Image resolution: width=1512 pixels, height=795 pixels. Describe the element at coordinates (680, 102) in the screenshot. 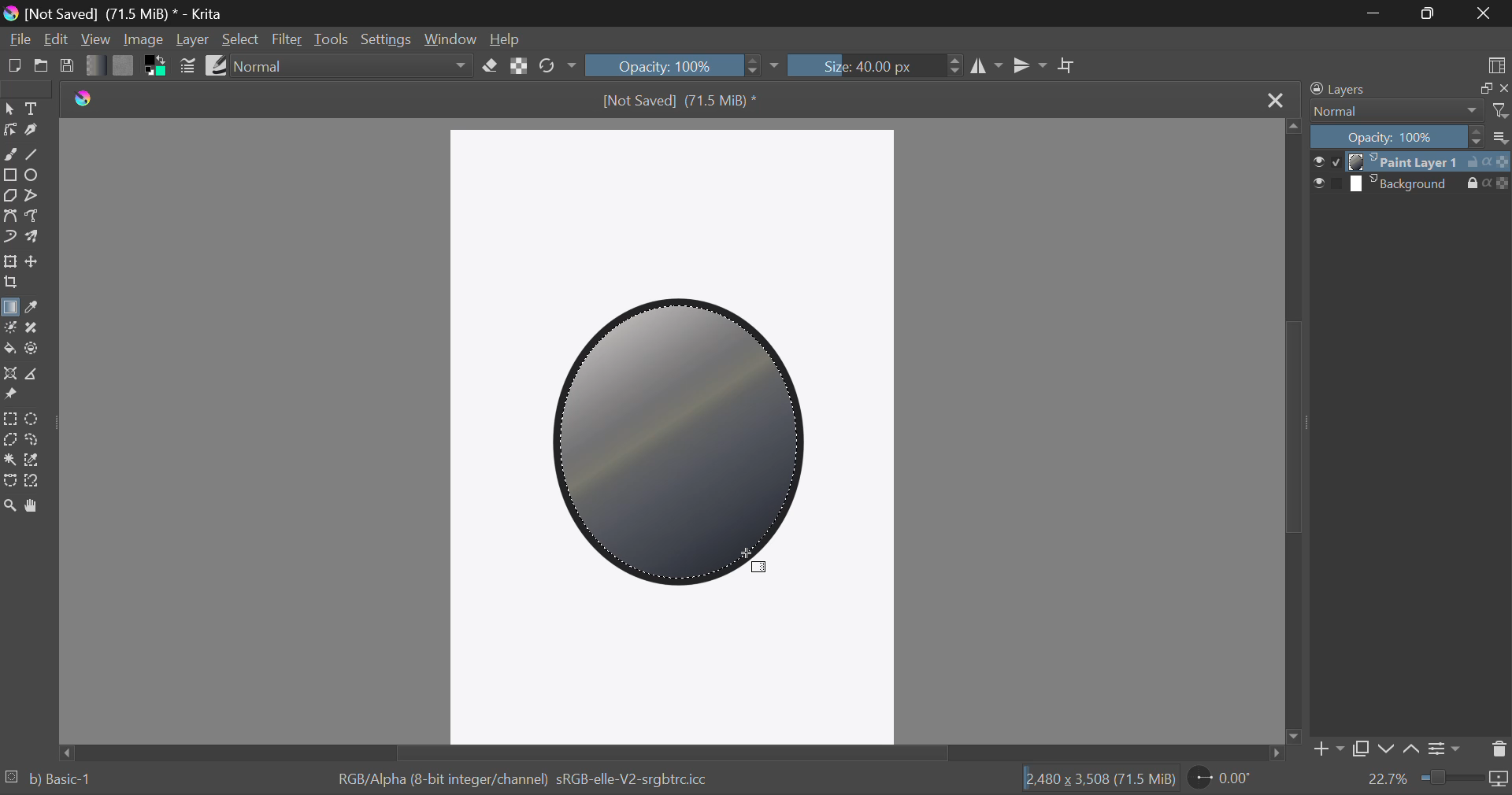

I see `[Not Saved] (71.5 MiB) *` at that location.